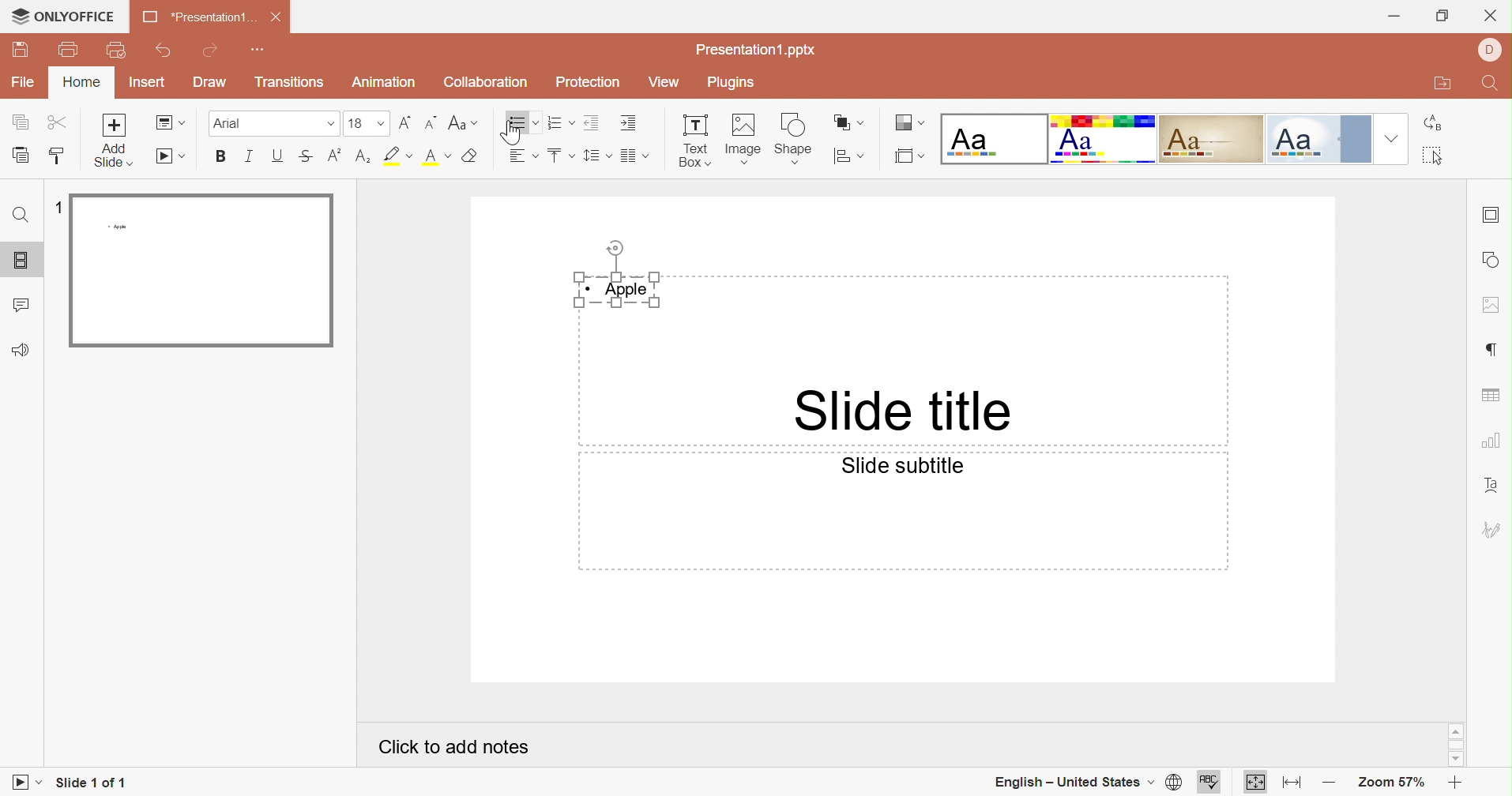  I want to click on Bold, so click(228, 154).